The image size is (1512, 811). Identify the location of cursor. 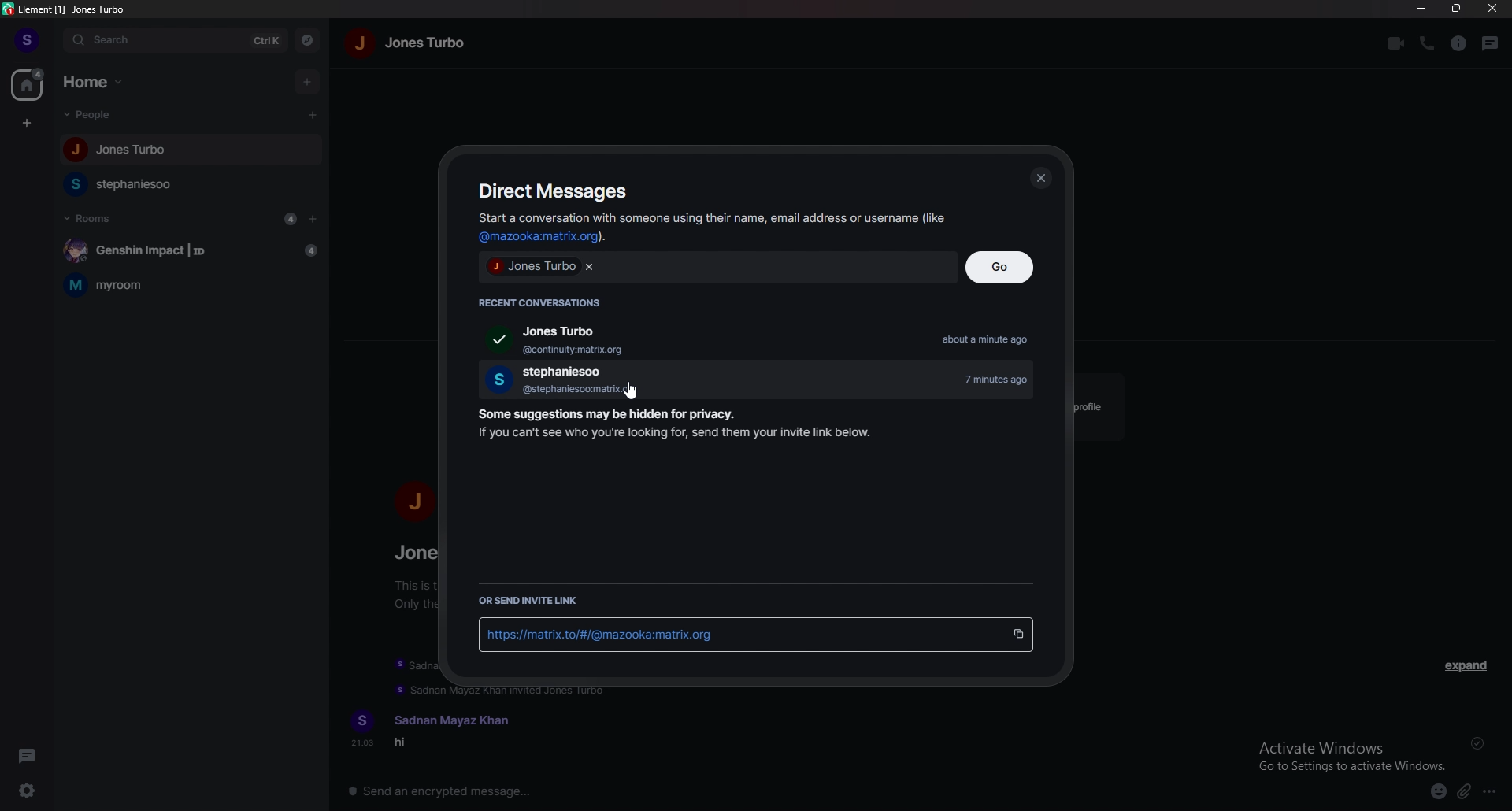
(632, 389).